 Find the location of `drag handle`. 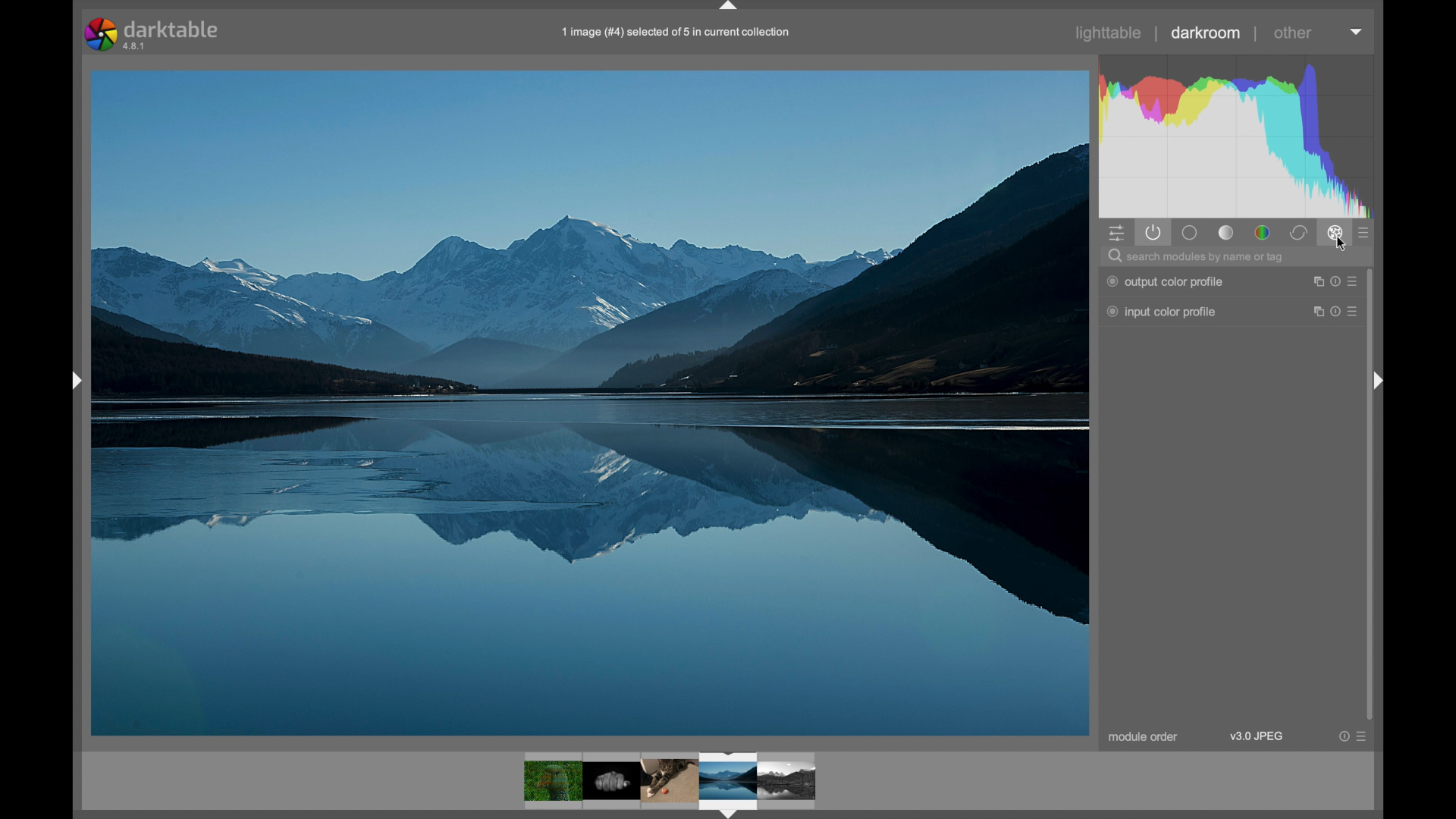

drag handle is located at coordinates (1379, 379).